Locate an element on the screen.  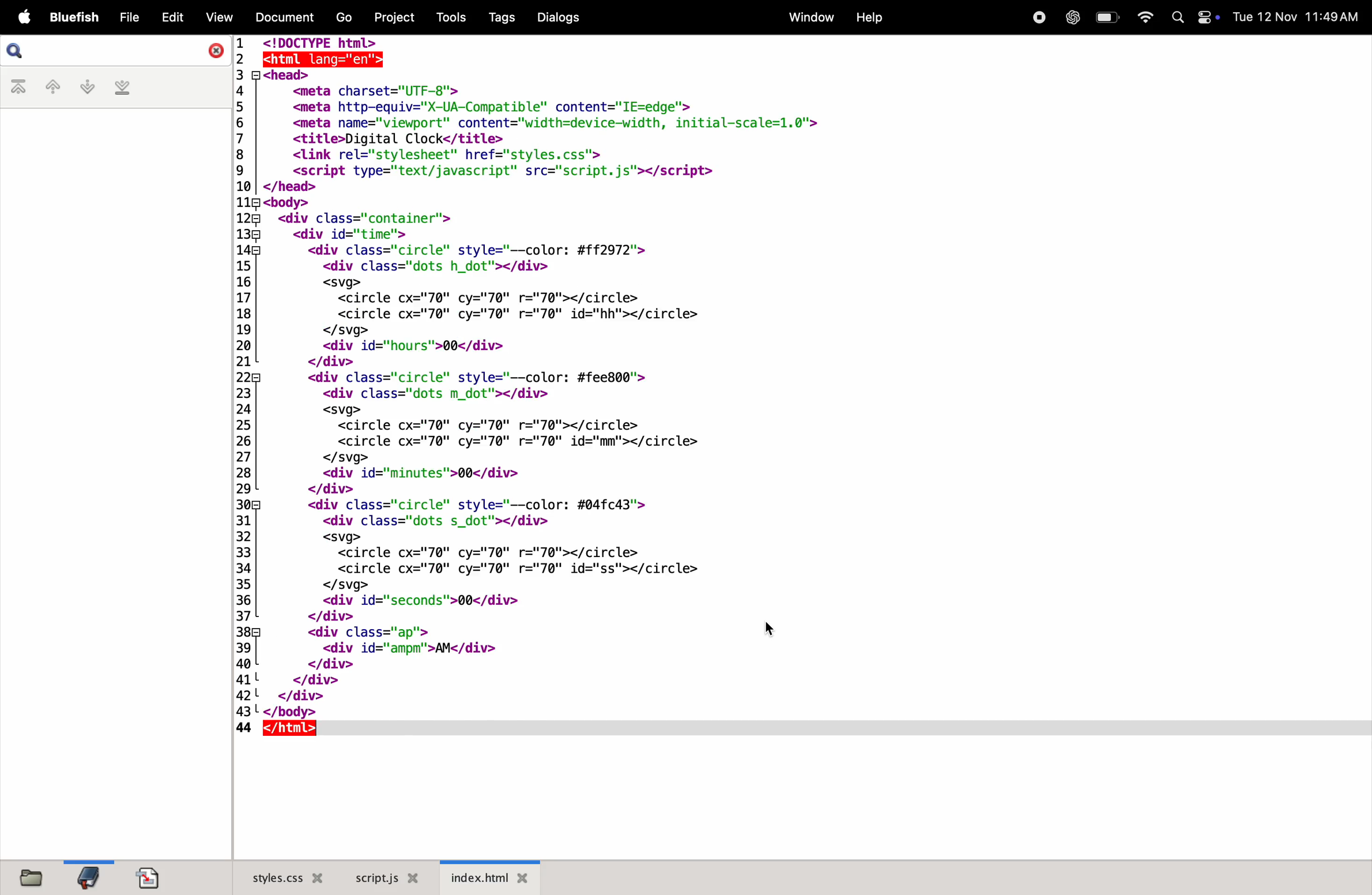
cursor is located at coordinates (772, 631).